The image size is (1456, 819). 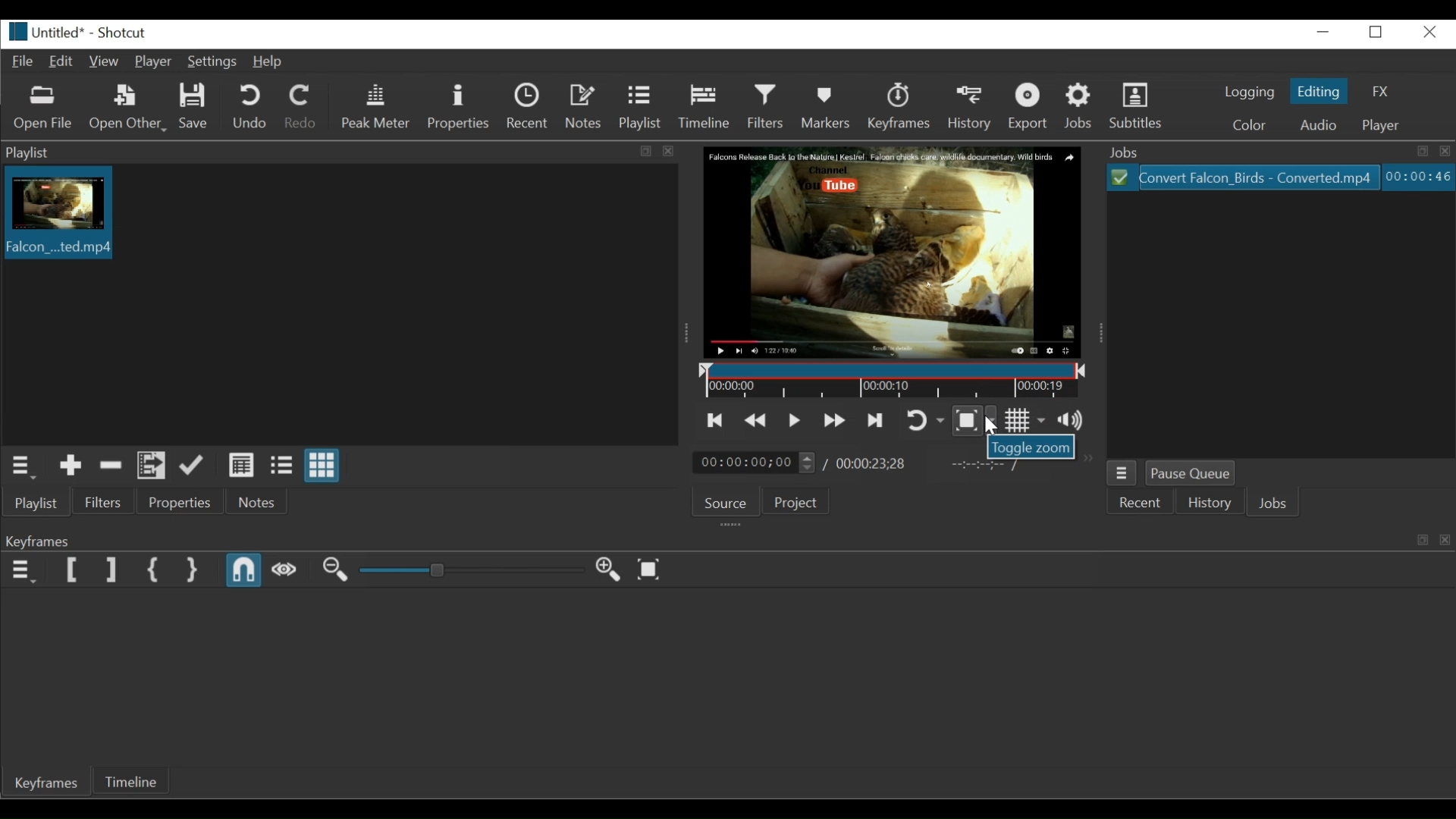 I want to click on Keyframe Panel, so click(x=726, y=541).